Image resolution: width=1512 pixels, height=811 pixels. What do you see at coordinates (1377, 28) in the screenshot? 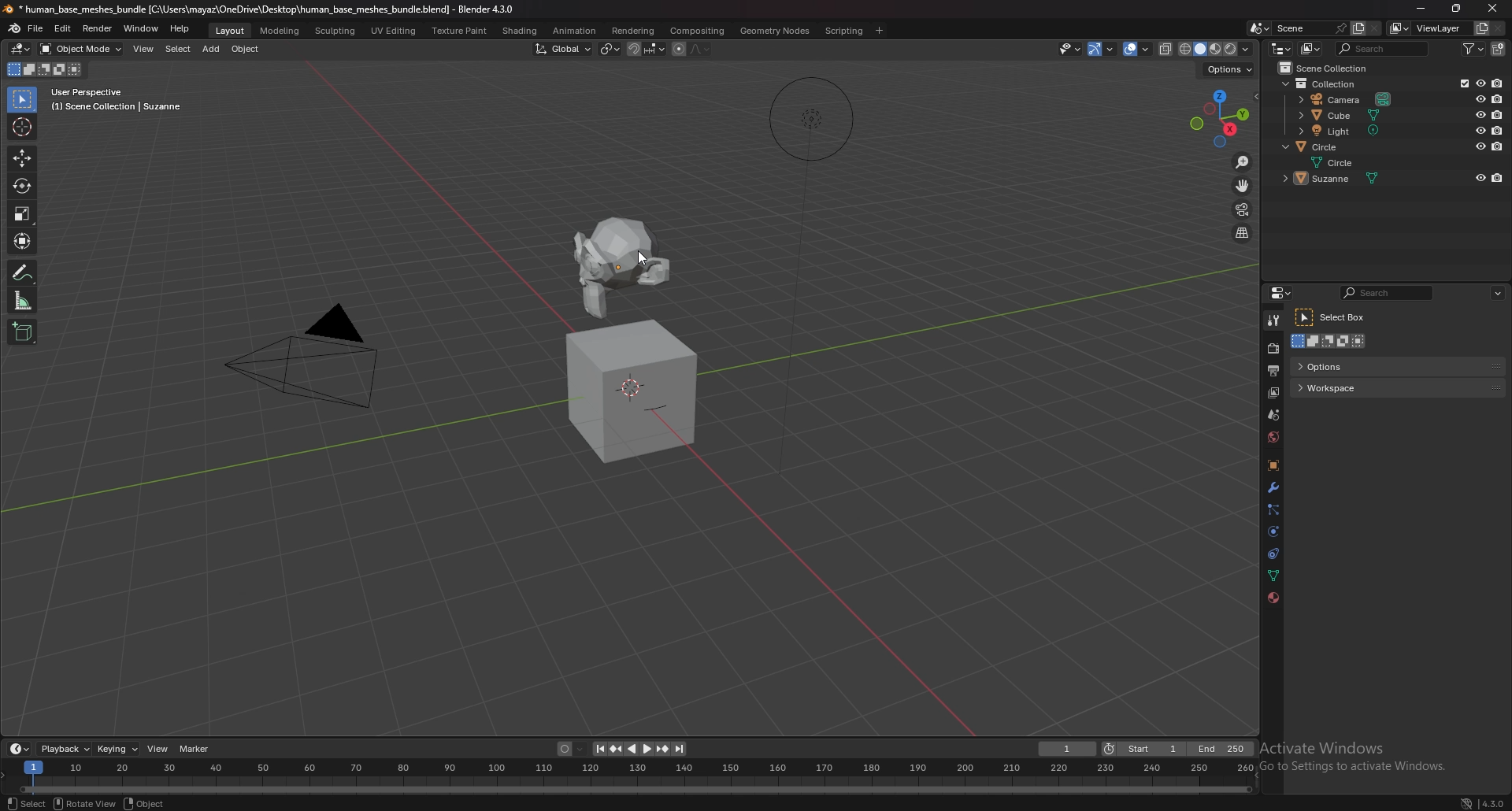
I see `delete scene` at bounding box center [1377, 28].